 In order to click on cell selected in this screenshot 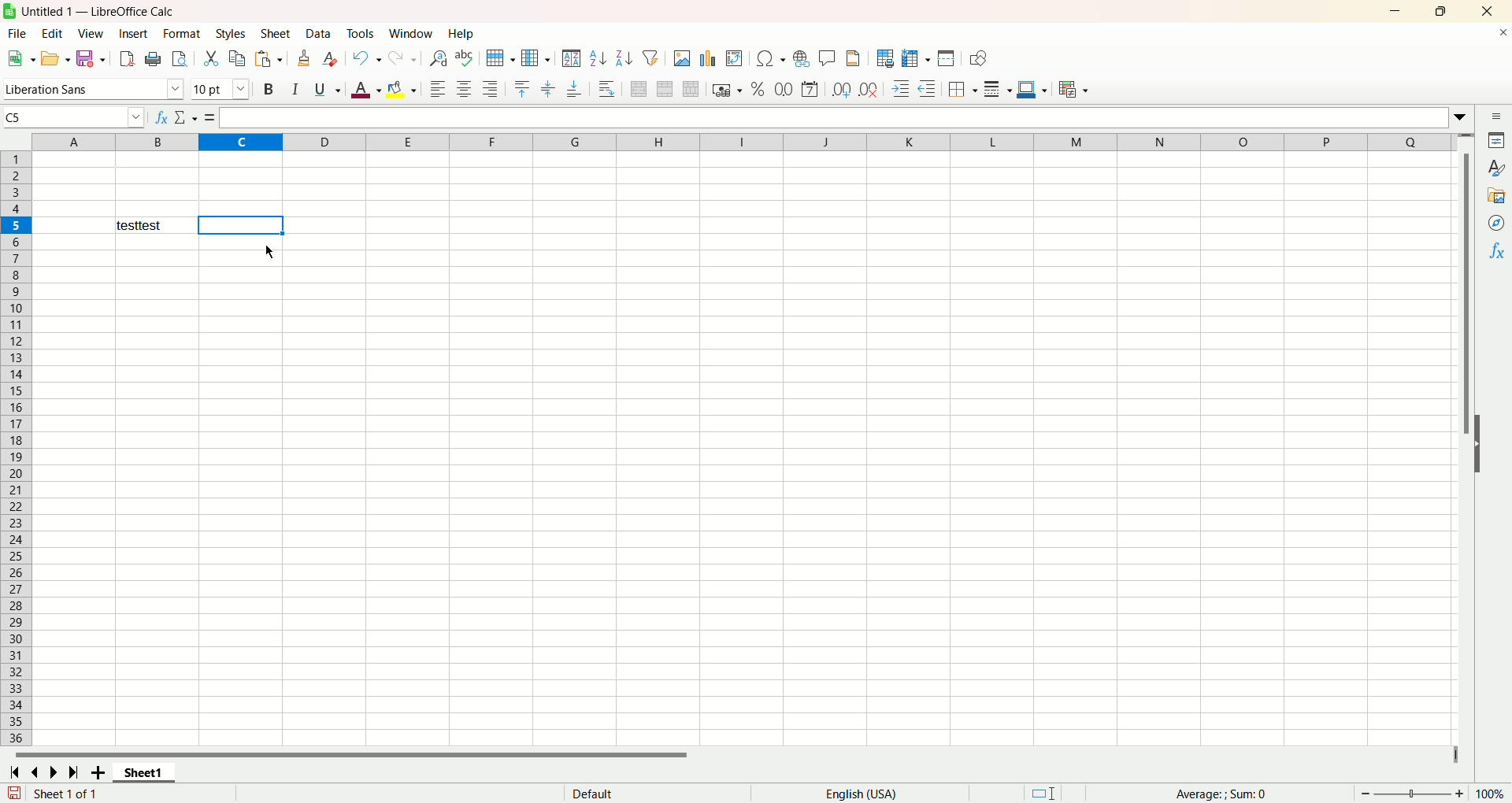, I will do `click(243, 225)`.